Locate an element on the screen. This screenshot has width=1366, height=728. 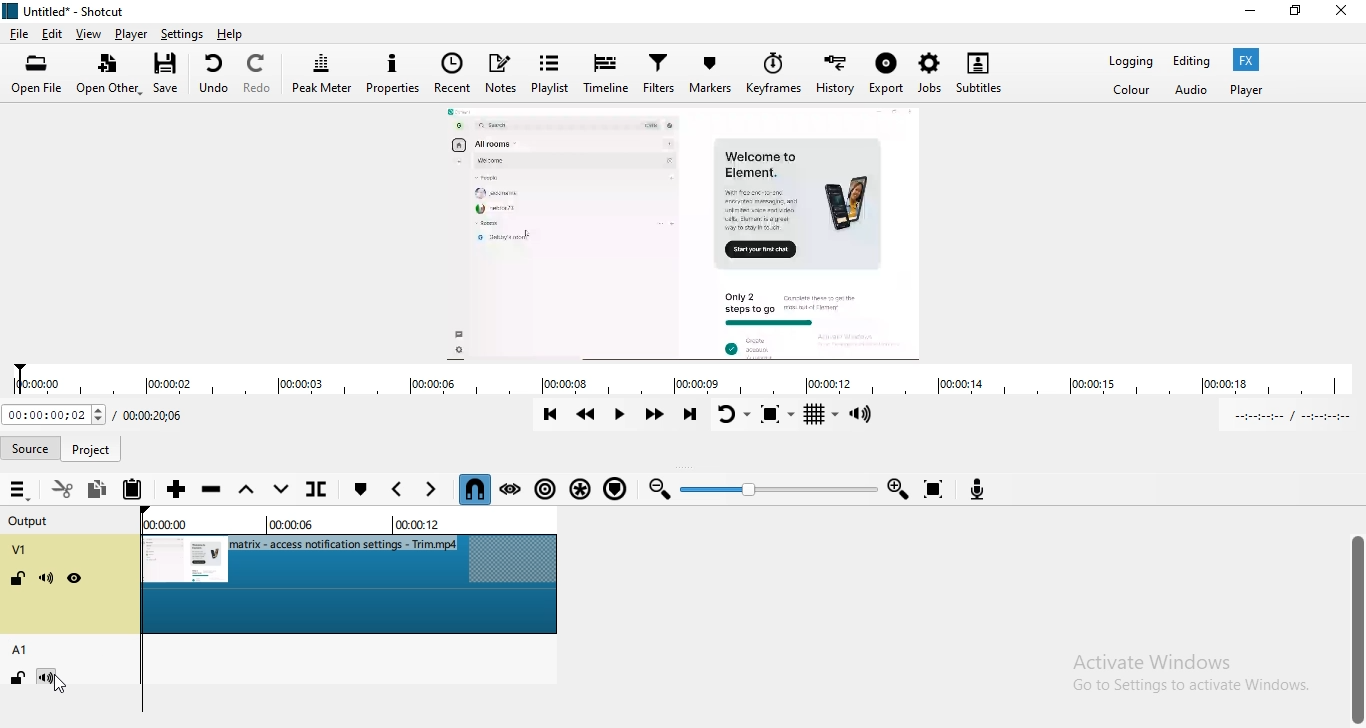
Properties is located at coordinates (393, 75).